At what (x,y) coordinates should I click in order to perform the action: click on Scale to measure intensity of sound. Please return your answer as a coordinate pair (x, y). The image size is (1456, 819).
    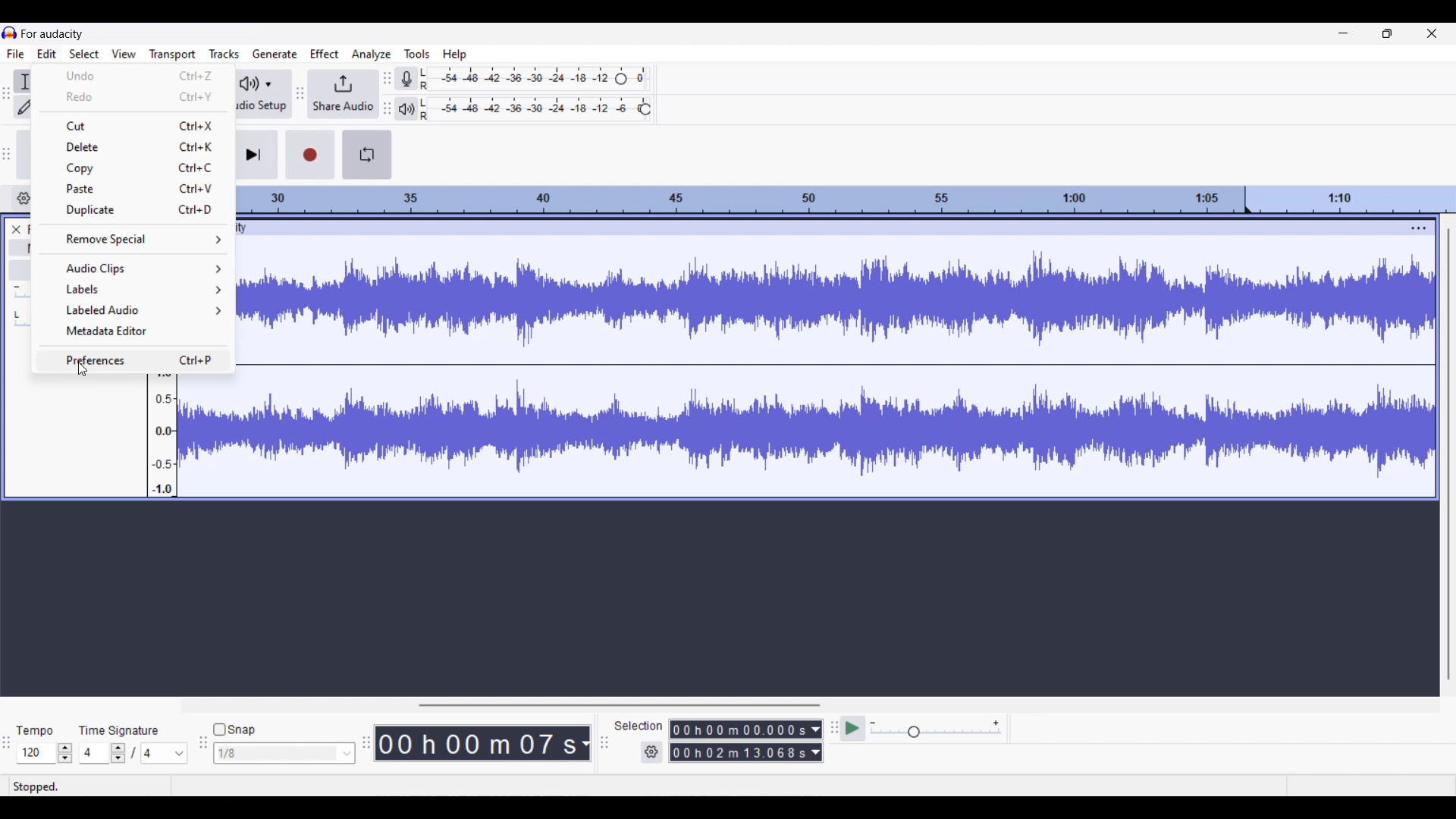
    Looking at the image, I should click on (162, 435).